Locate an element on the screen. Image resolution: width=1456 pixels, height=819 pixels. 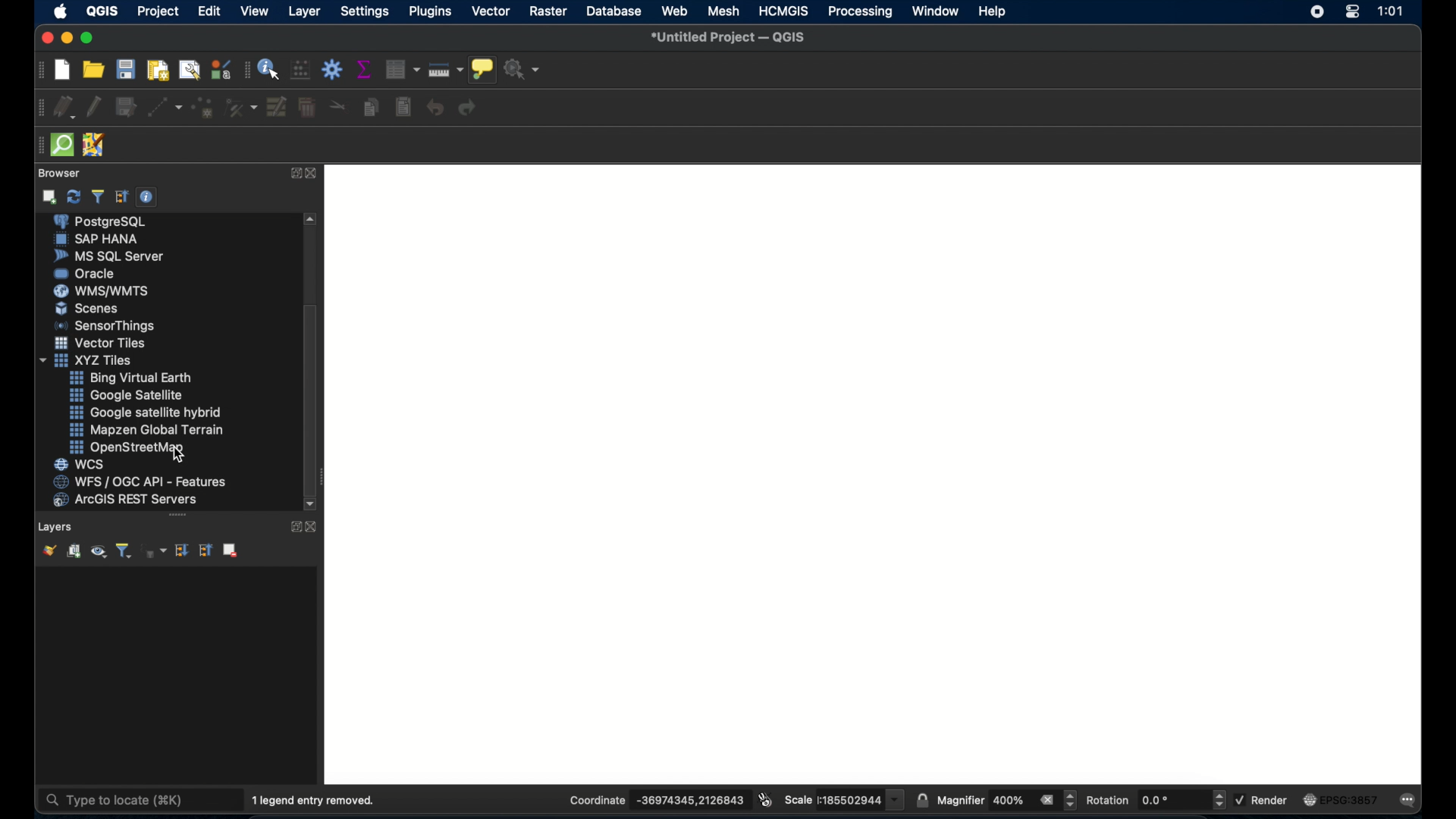
style manager is located at coordinates (221, 71).